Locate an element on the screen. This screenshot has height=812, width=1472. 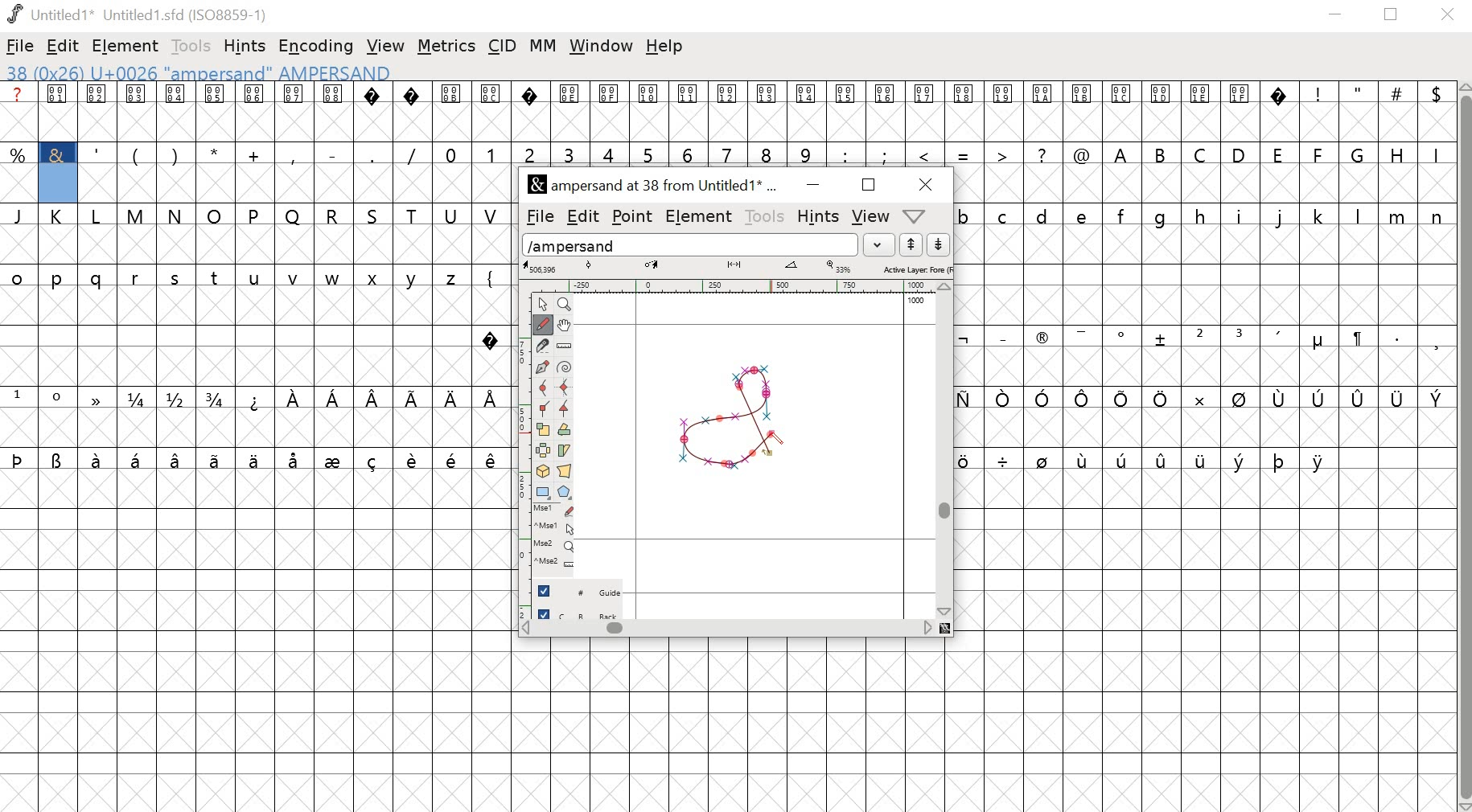
, is located at coordinates (294, 155).